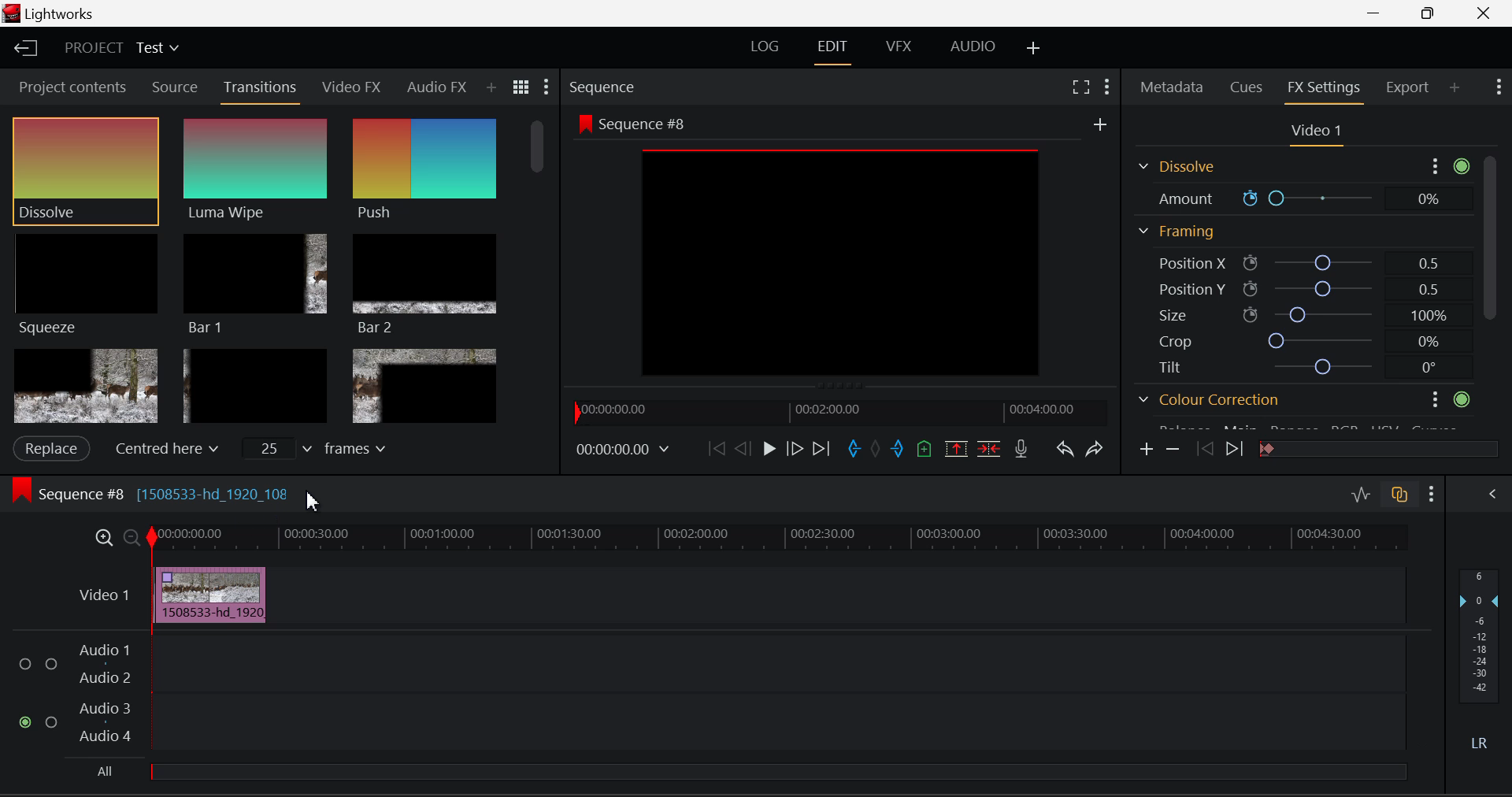  What do you see at coordinates (715, 451) in the screenshot?
I see `To Start` at bounding box center [715, 451].